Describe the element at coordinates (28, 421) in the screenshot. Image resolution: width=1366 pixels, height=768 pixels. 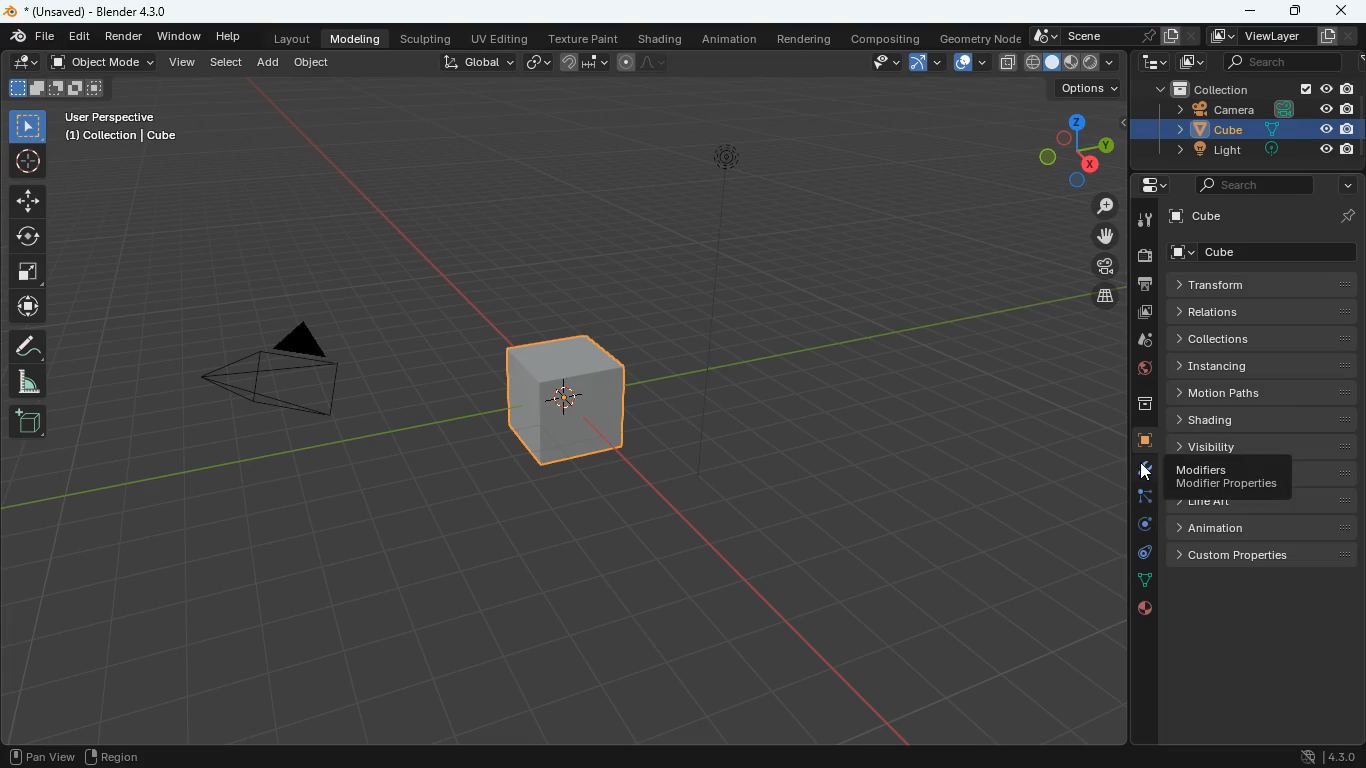
I see `add` at that location.